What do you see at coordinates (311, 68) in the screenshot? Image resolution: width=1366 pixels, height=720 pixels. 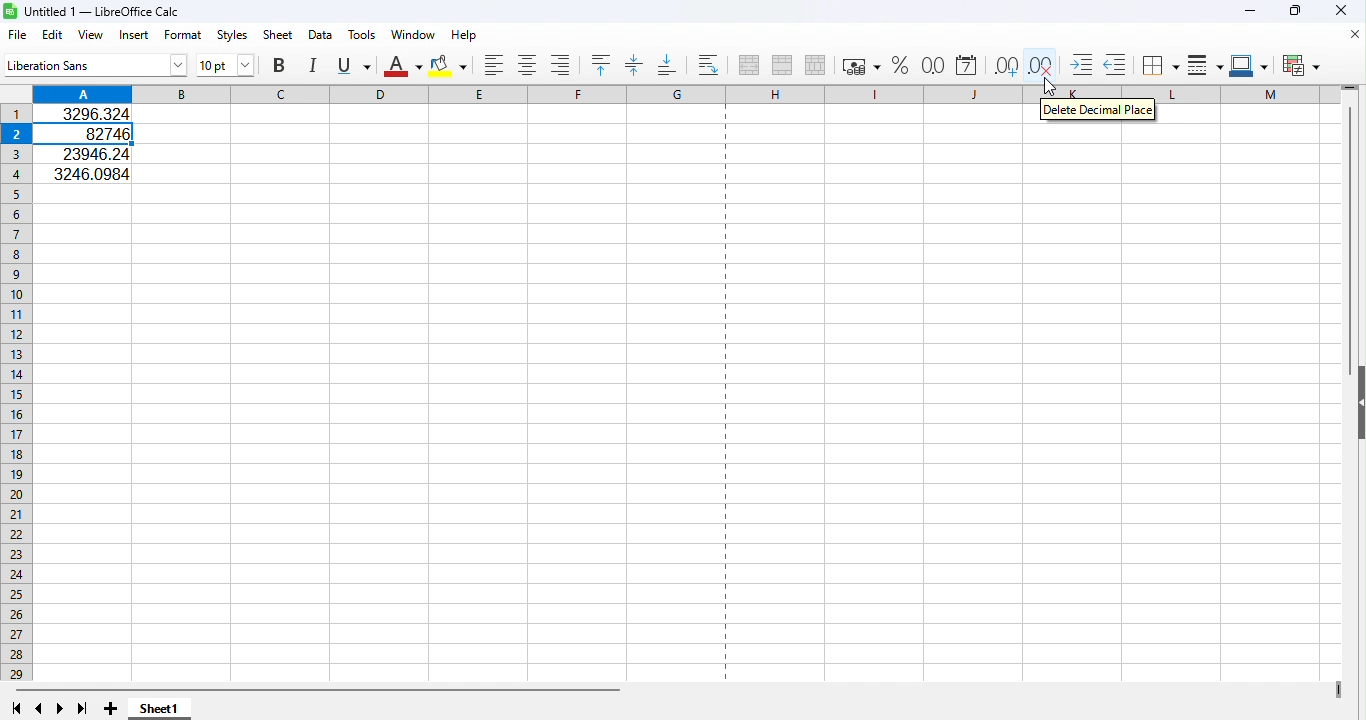 I see `Italics` at bounding box center [311, 68].